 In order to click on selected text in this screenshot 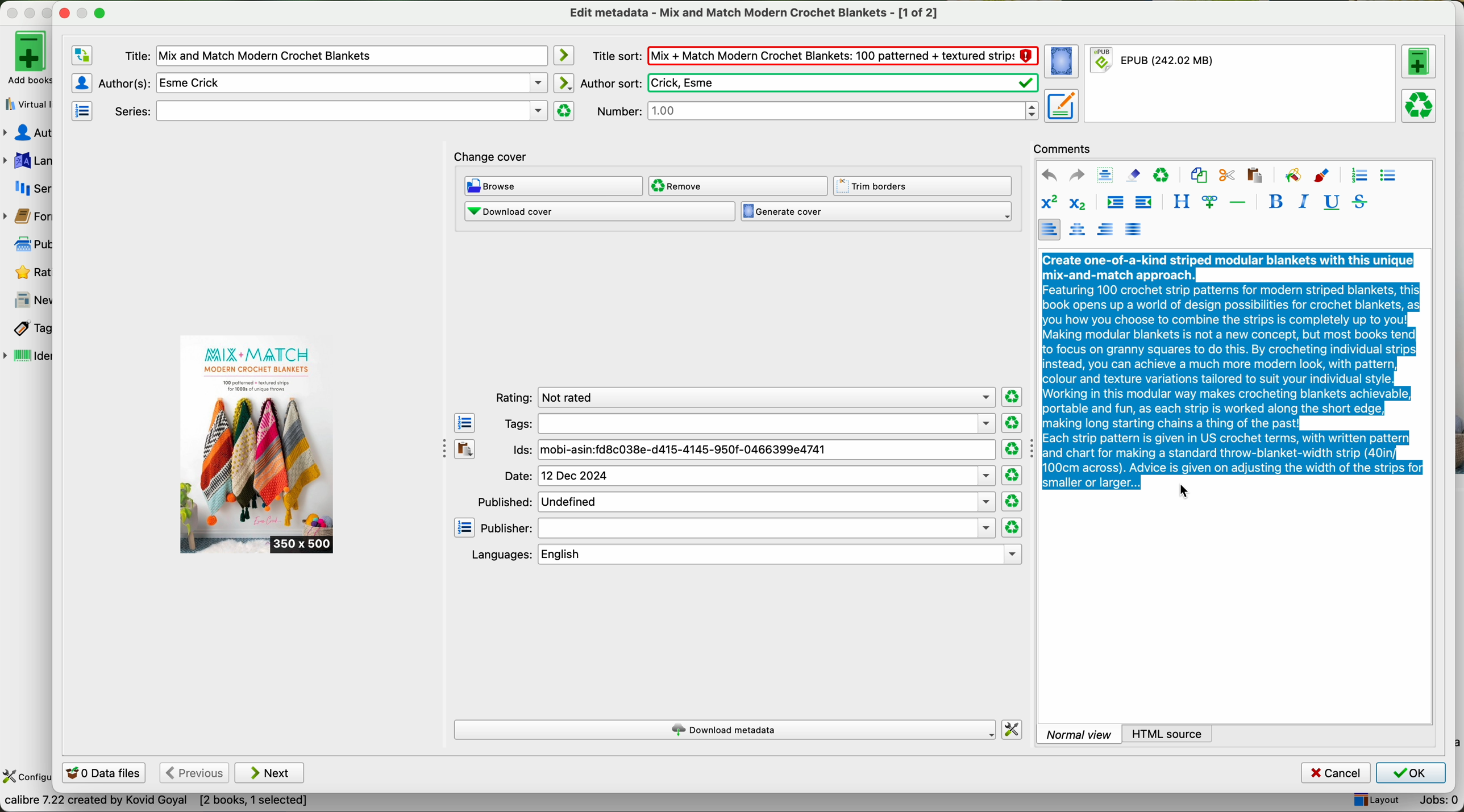, I will do `click(1233, 369)`.